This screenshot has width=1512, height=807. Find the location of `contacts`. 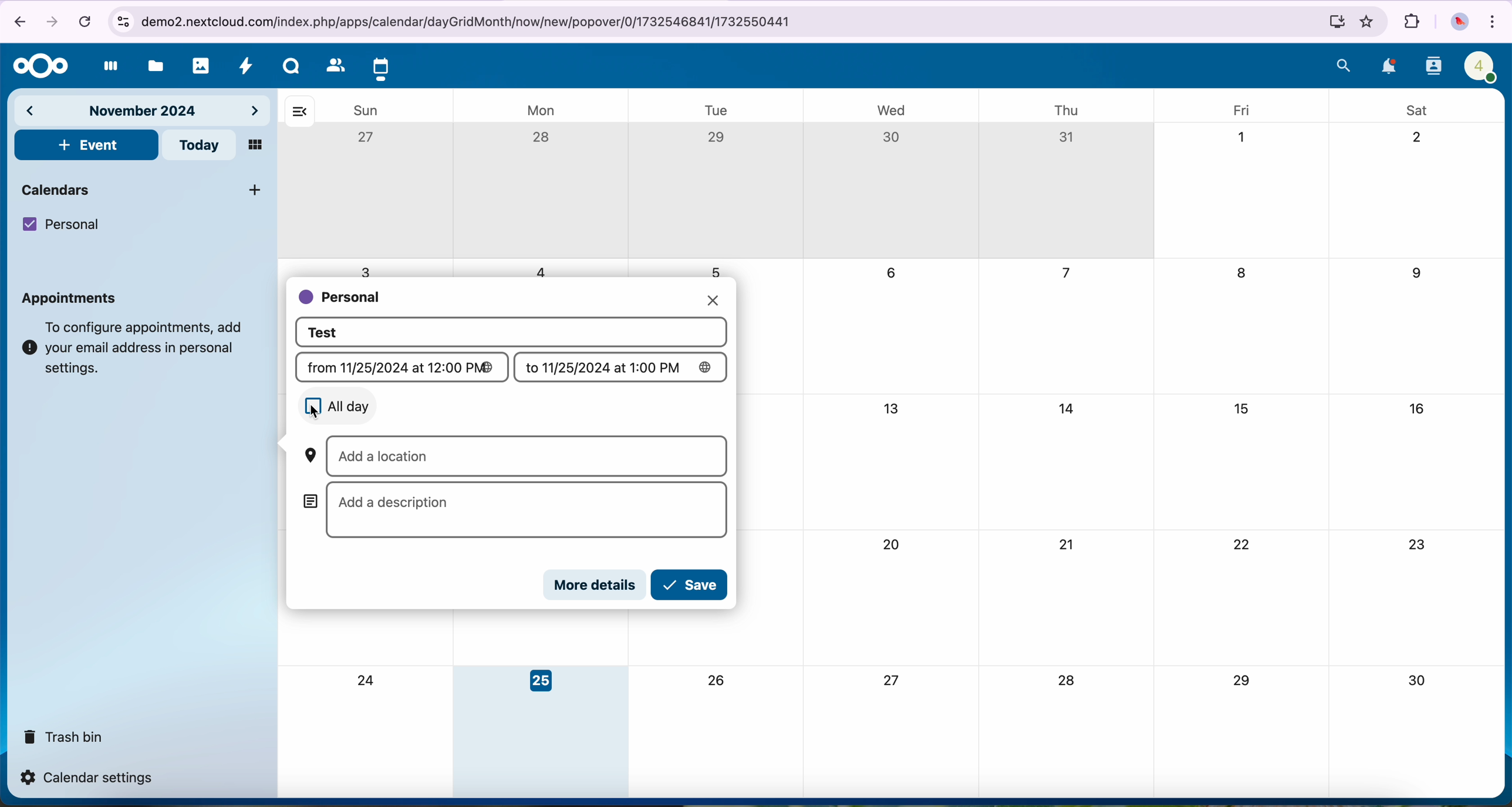

contacts is located at coordinates (330, 65).